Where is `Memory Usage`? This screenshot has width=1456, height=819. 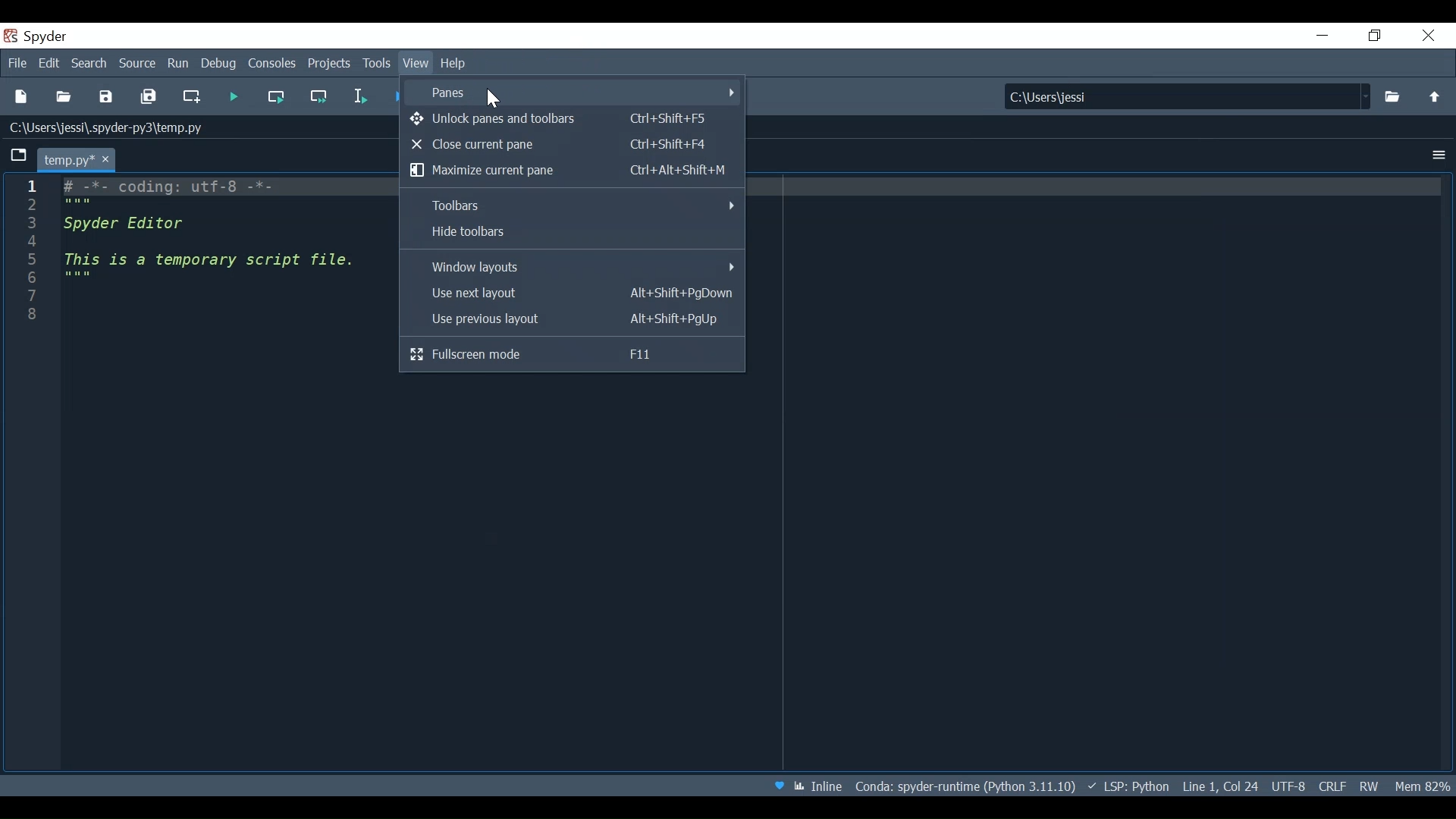
Memory Usage is located at coordinates (1422, 783).